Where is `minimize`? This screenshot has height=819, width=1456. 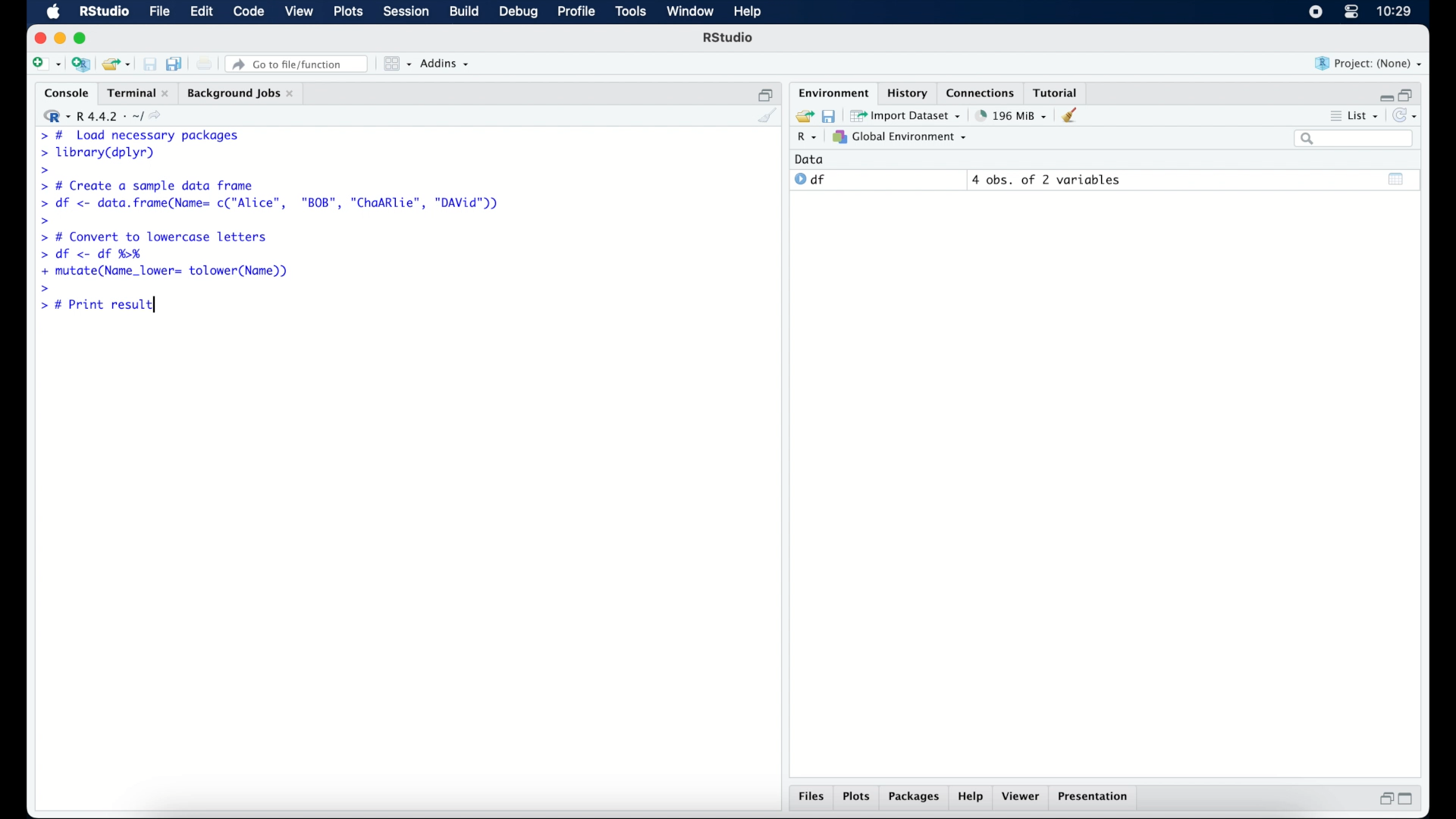 minimize is located at coordinates (1384, 94).